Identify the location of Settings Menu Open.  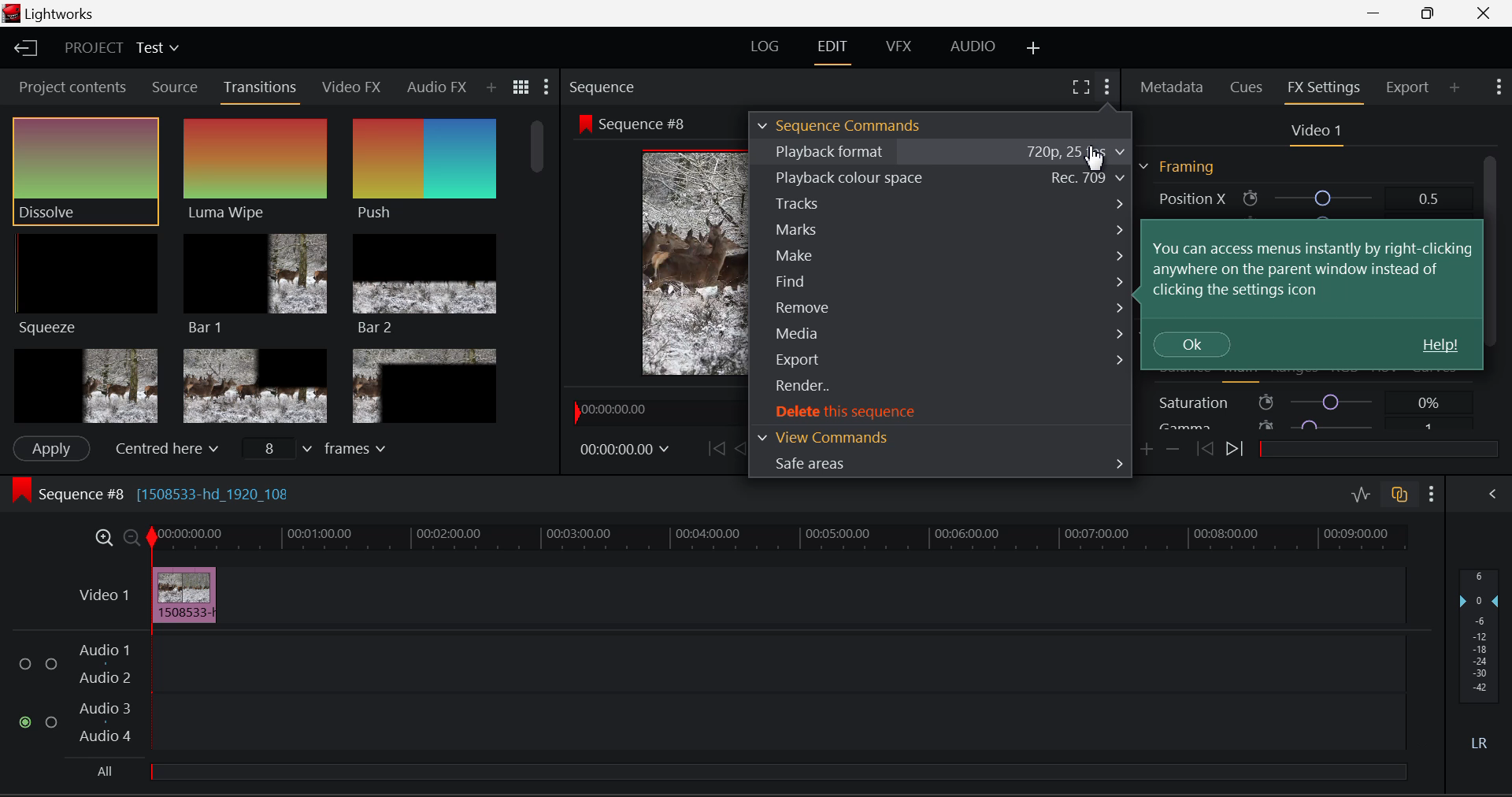
(1106, 84).